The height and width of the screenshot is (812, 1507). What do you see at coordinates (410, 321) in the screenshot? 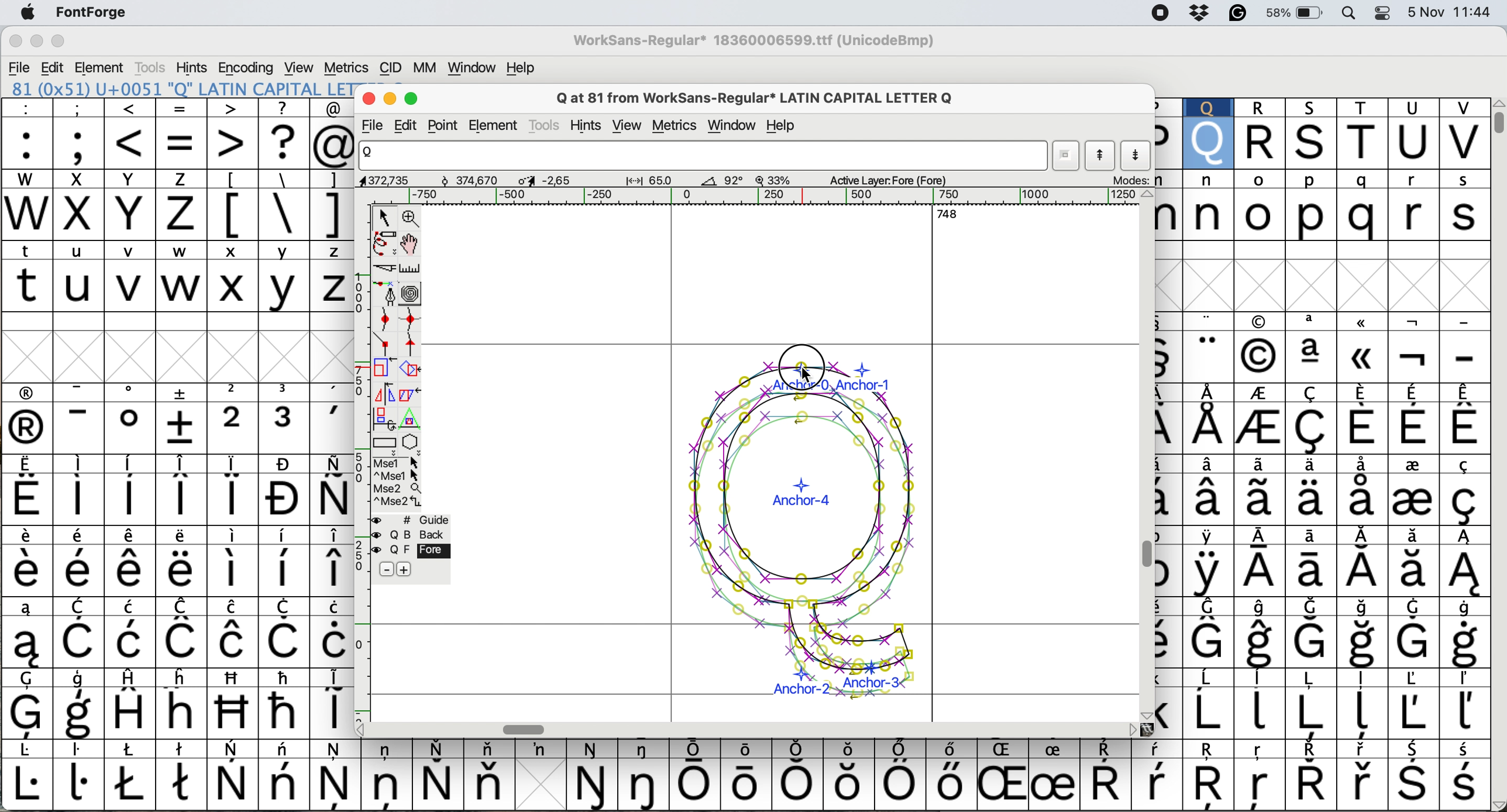
I see `add a curve point horizontal or vertical` at bounding box center [410, 321].